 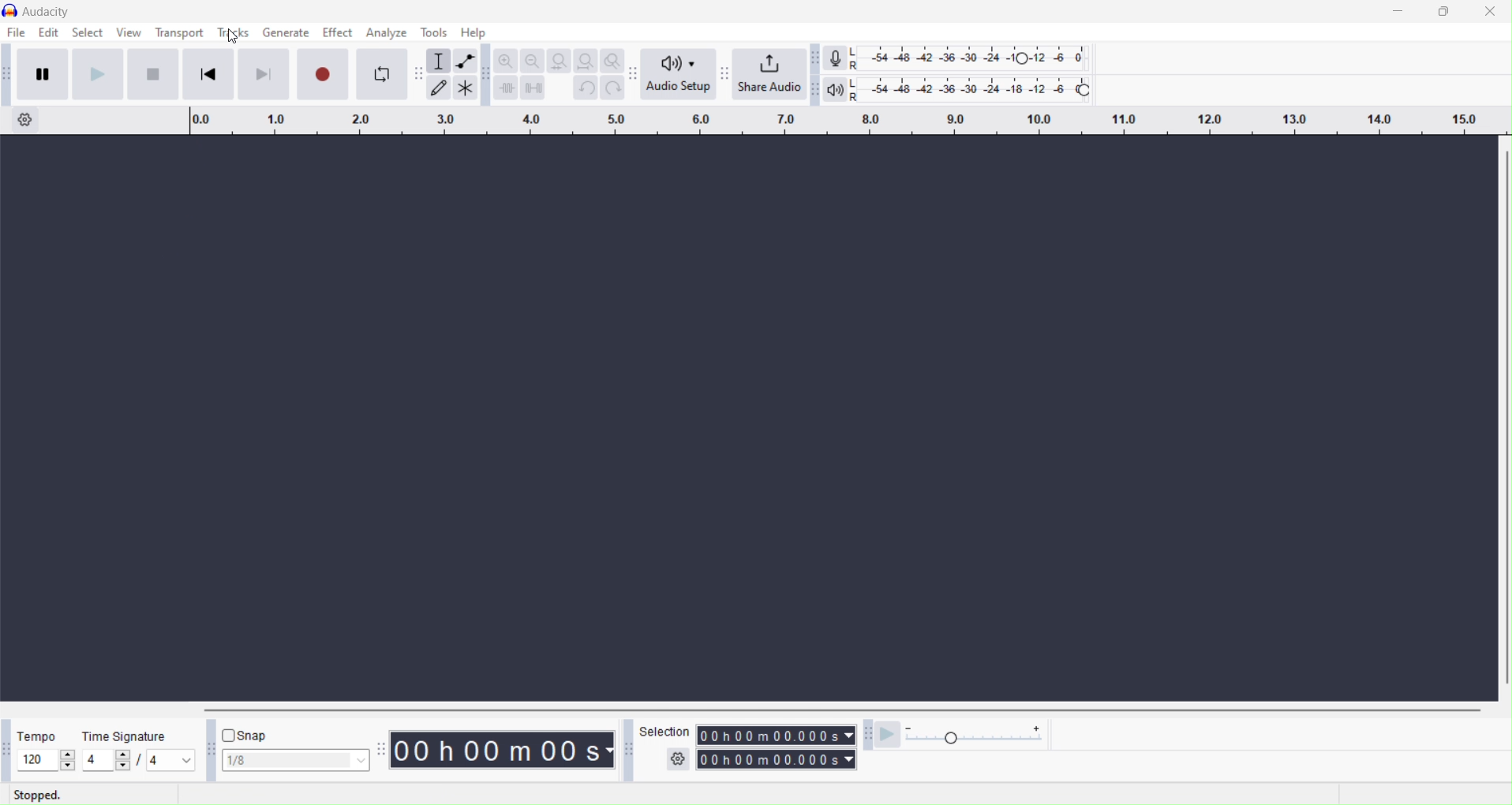 I want to click on Audacity time toolbar, so click(x=380, y=750).